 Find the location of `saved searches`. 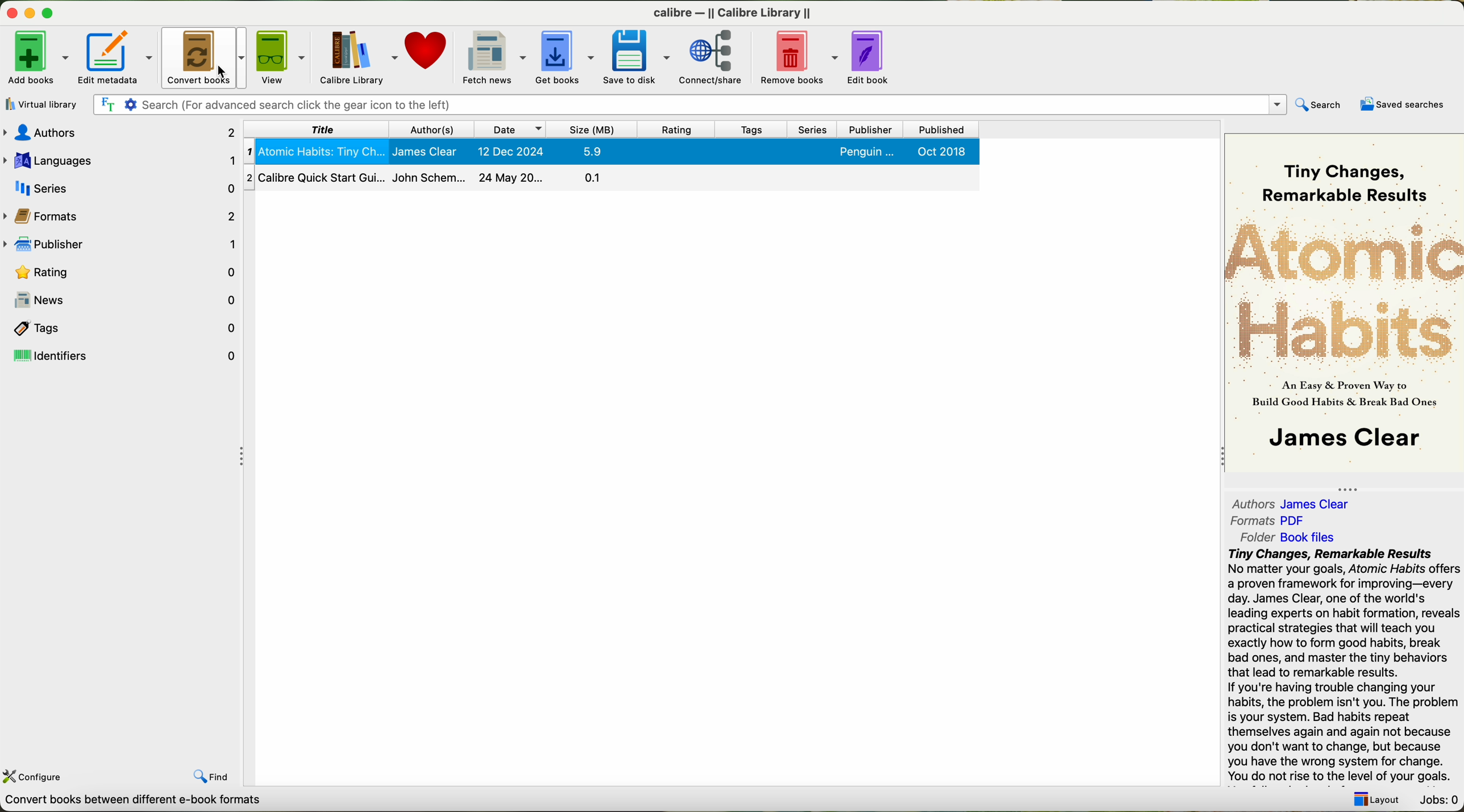

saved searches is located at coordinates (1401, 104).